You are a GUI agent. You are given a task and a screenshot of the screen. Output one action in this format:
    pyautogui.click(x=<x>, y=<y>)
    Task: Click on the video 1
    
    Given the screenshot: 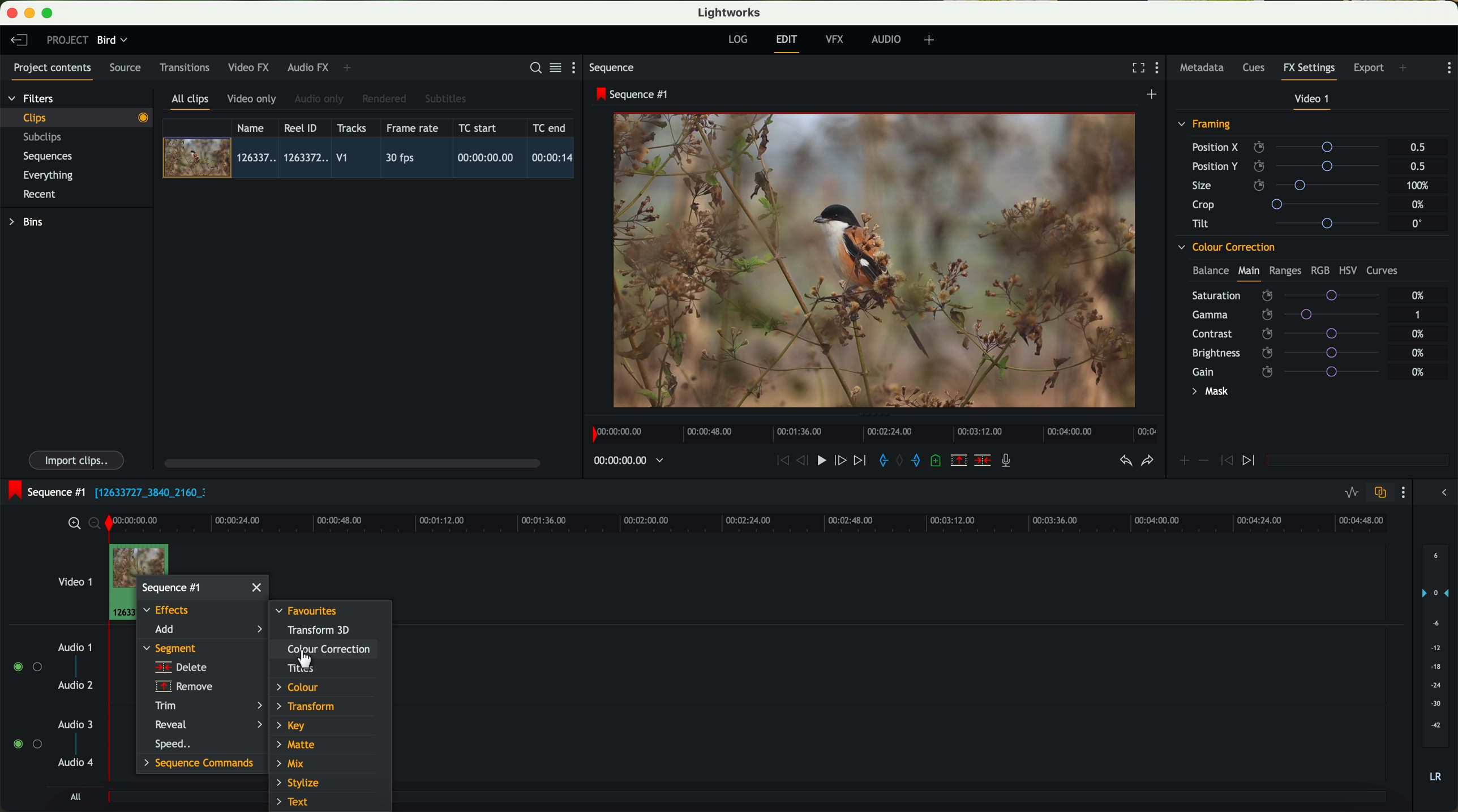 What is the action you would take?
    pyautogui.click(x=1313, y=101)
    